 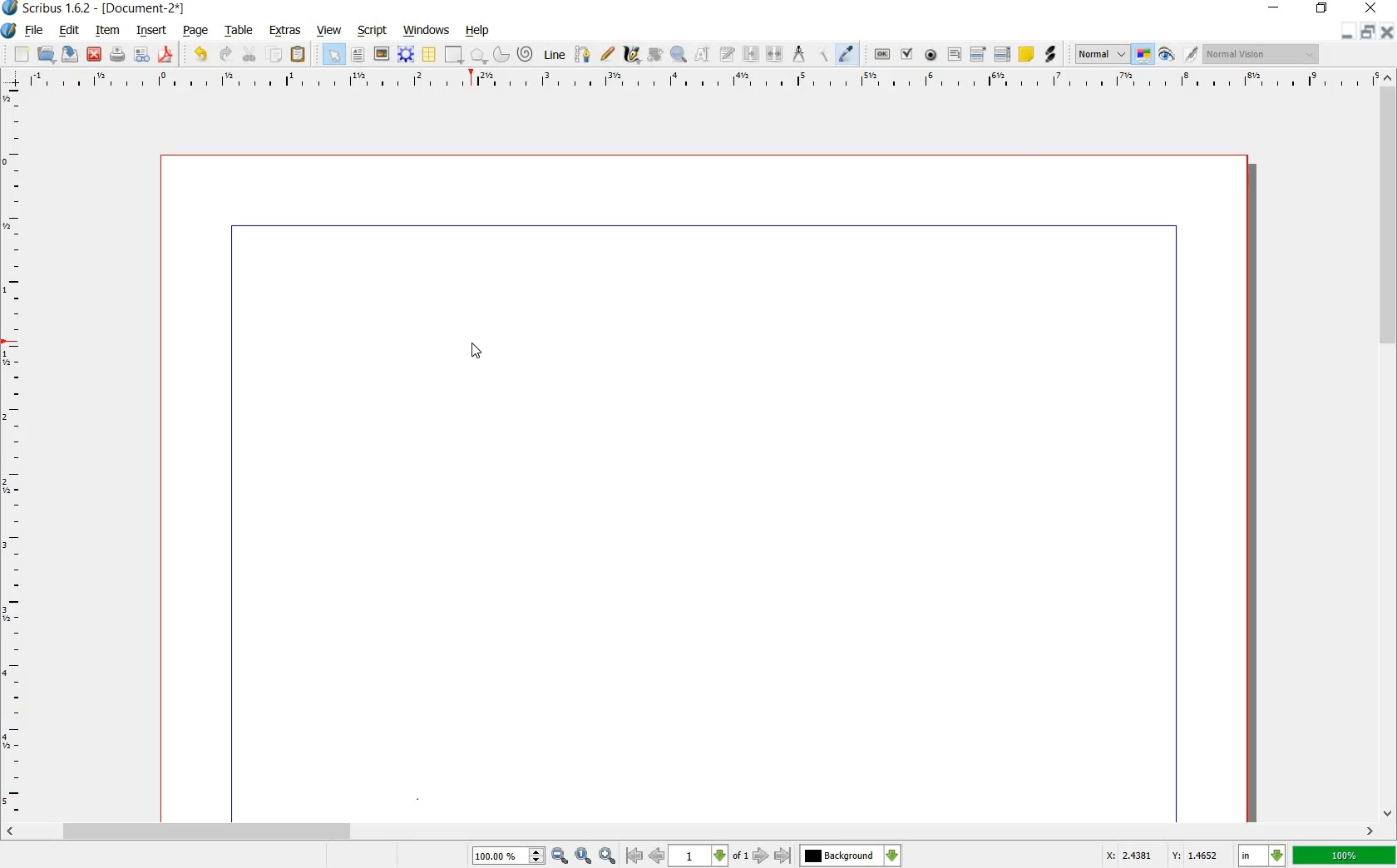 What do you see at coordinates (1260, 856) in the screenshot?
I see `select current unit` at bounding box center [1260, 856].